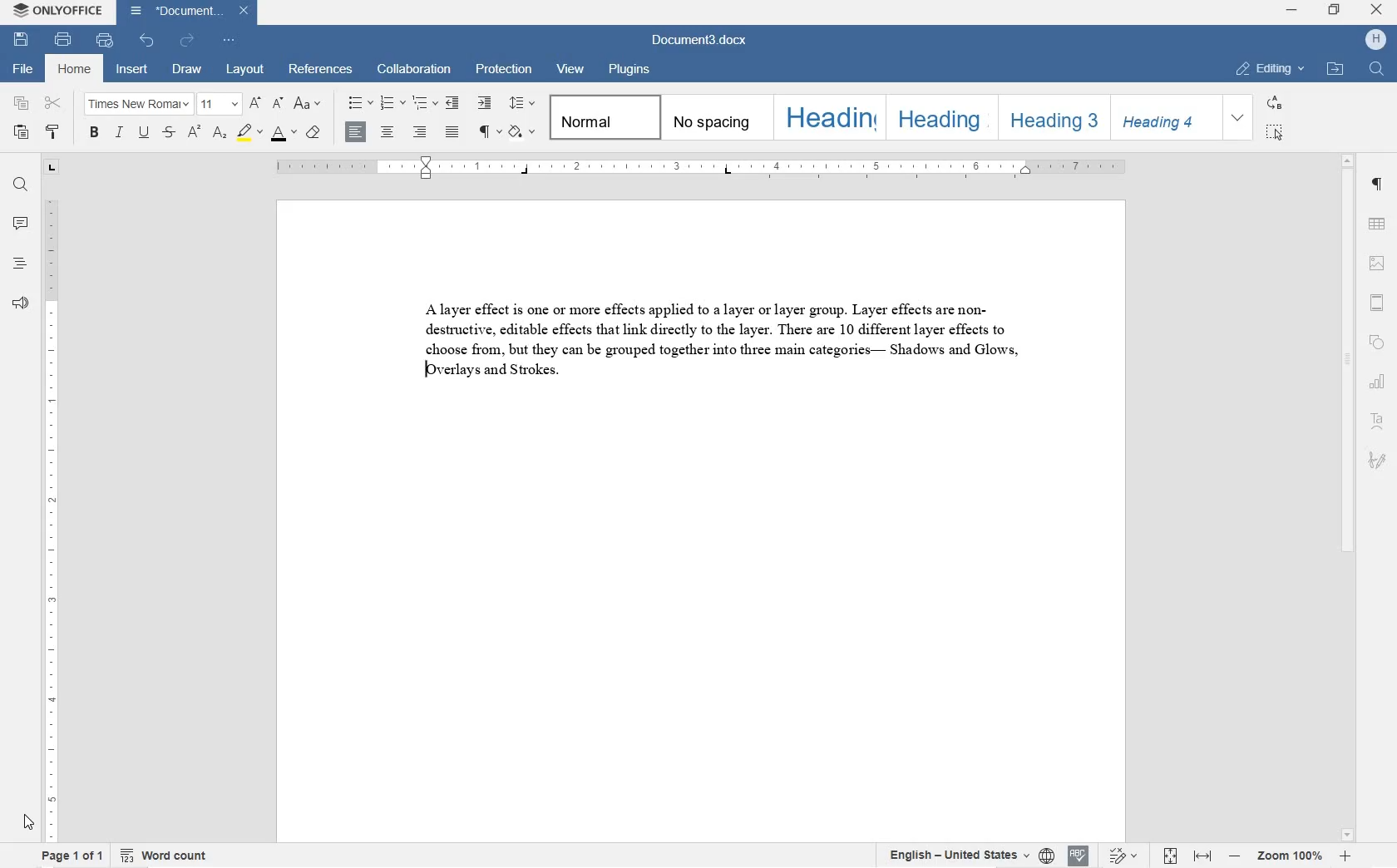 This screenshot has width=1397, height=868. I want to click on PASTE, so click(24, 136).